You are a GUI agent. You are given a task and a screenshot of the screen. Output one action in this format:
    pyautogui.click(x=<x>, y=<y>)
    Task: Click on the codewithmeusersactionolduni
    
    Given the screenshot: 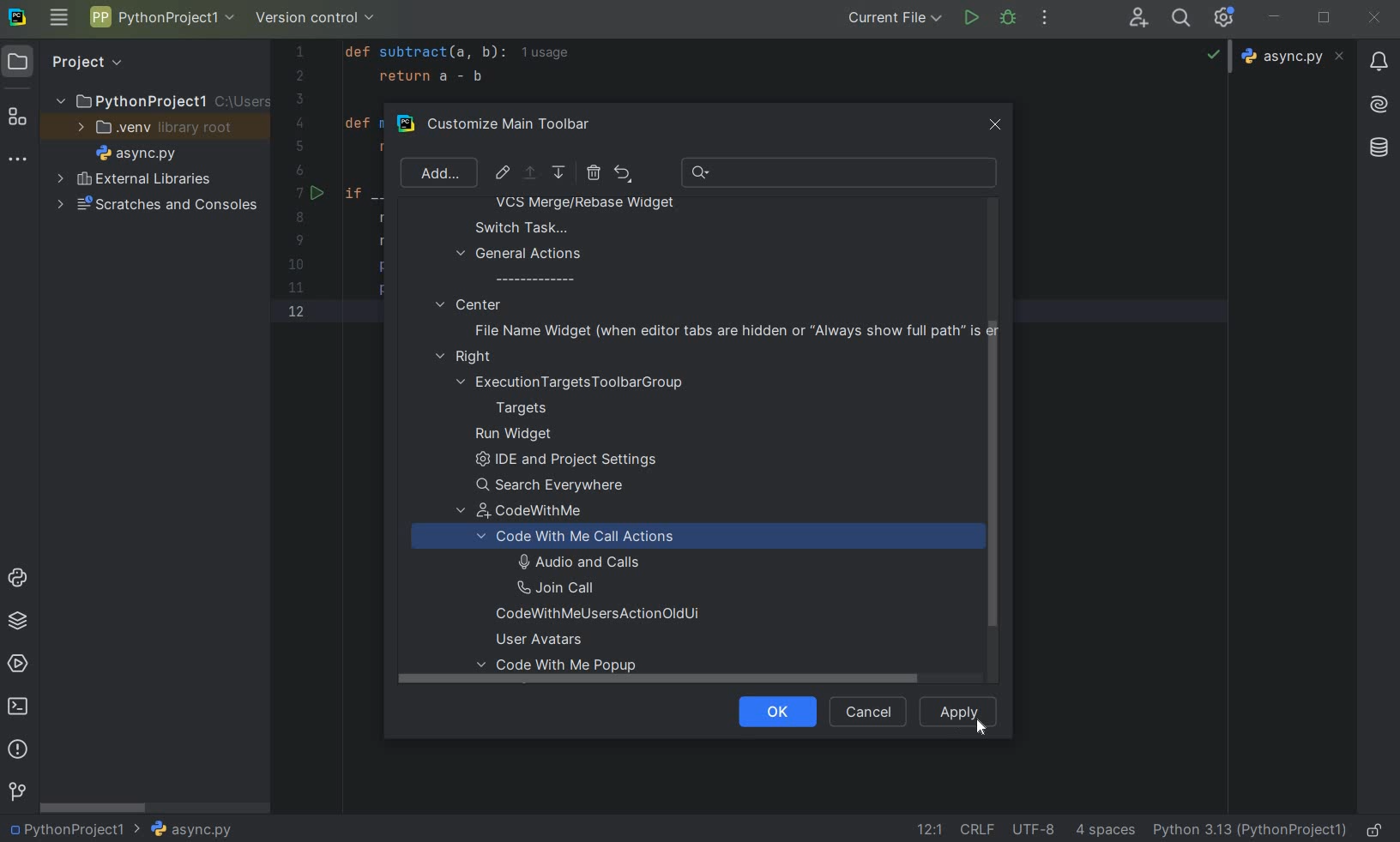 What is the action you would take?
    pyautogui.click(x=598, y=616)
    